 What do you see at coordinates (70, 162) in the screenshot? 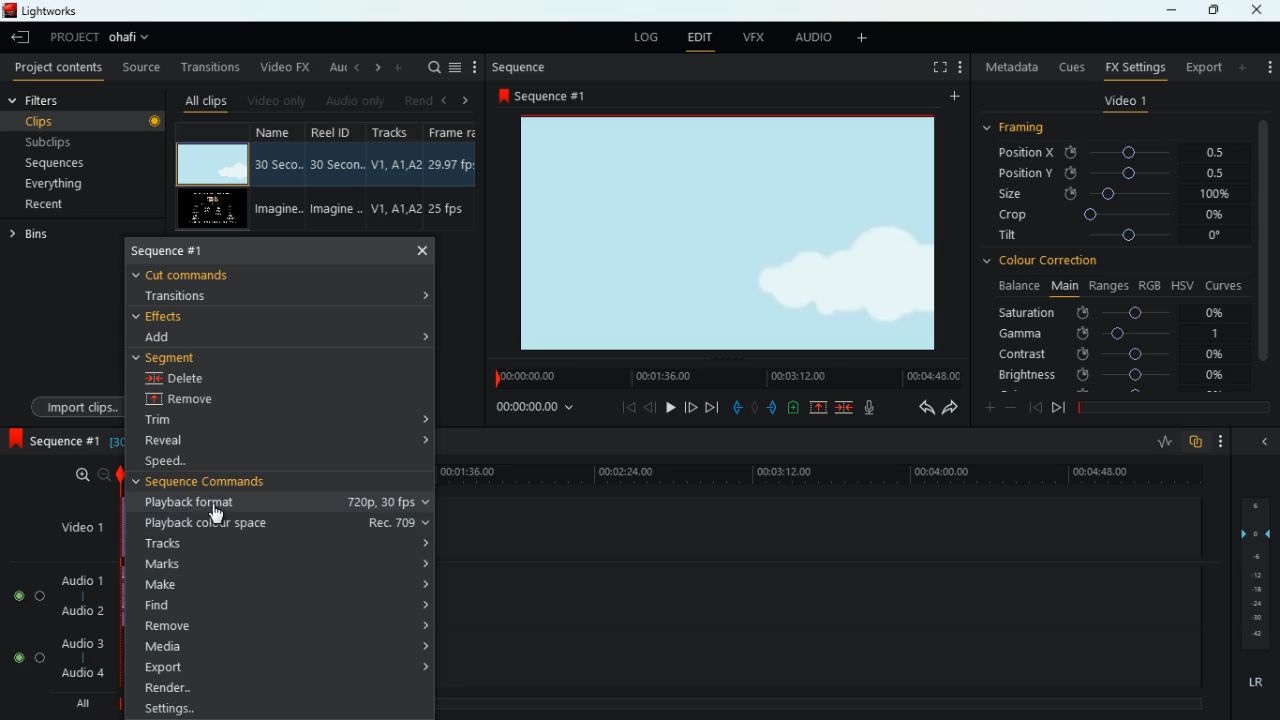
I see `sequences` at bounding box center [70, 162].